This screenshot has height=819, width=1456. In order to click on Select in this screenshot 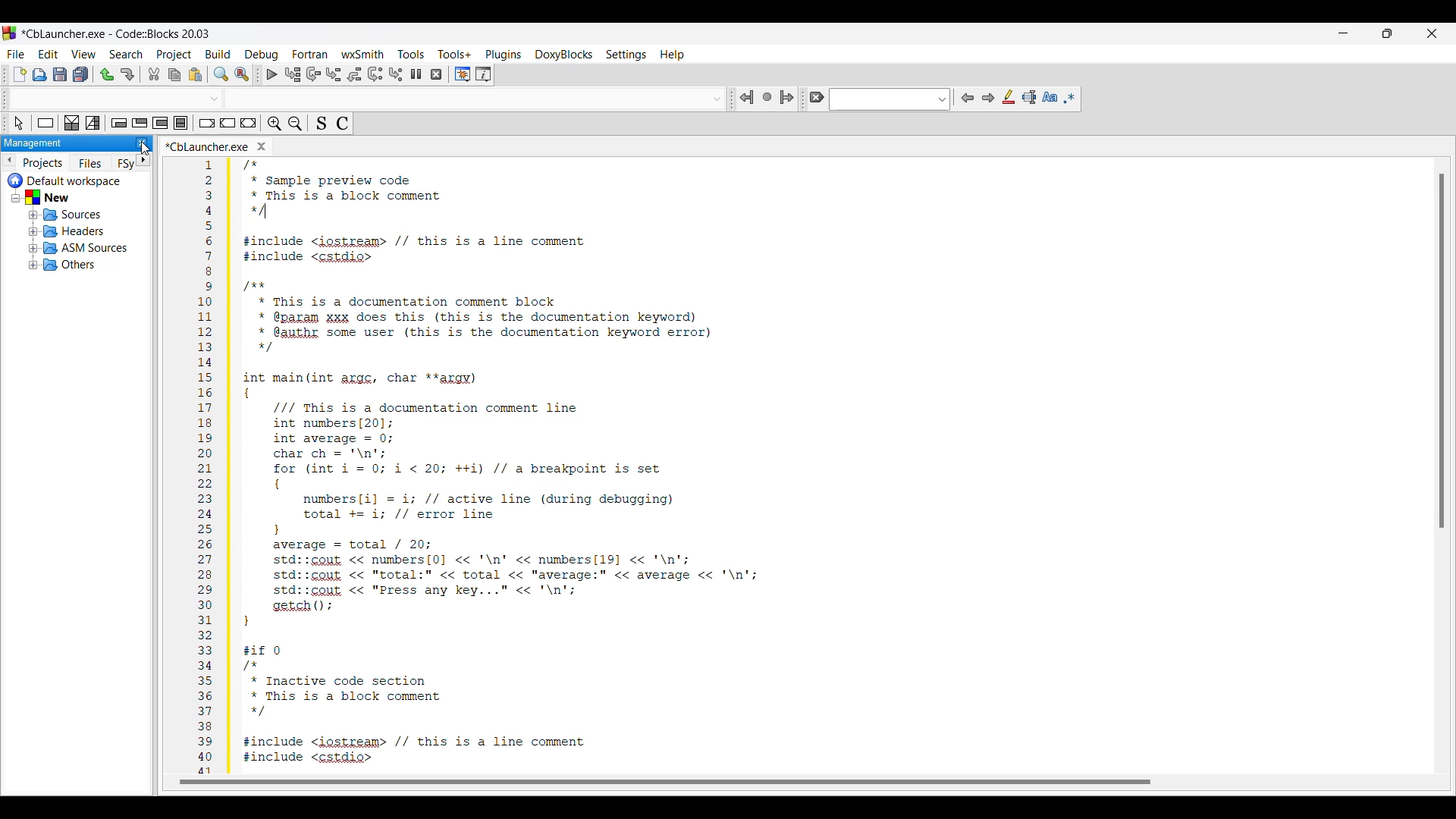, I will do `click(21, 123)`.